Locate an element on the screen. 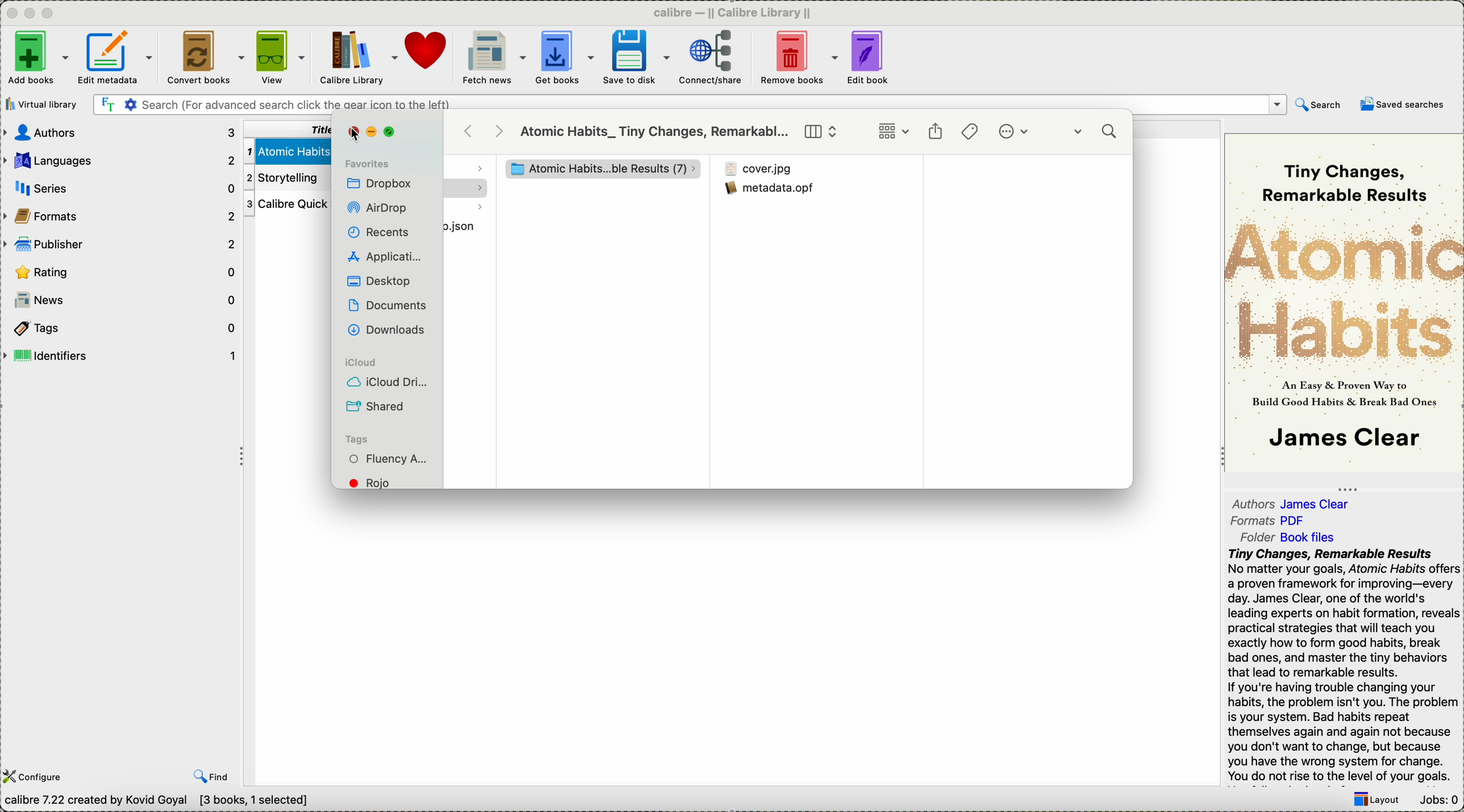 The image size is (1464, 812). tags is located at coordinates (119, 327).